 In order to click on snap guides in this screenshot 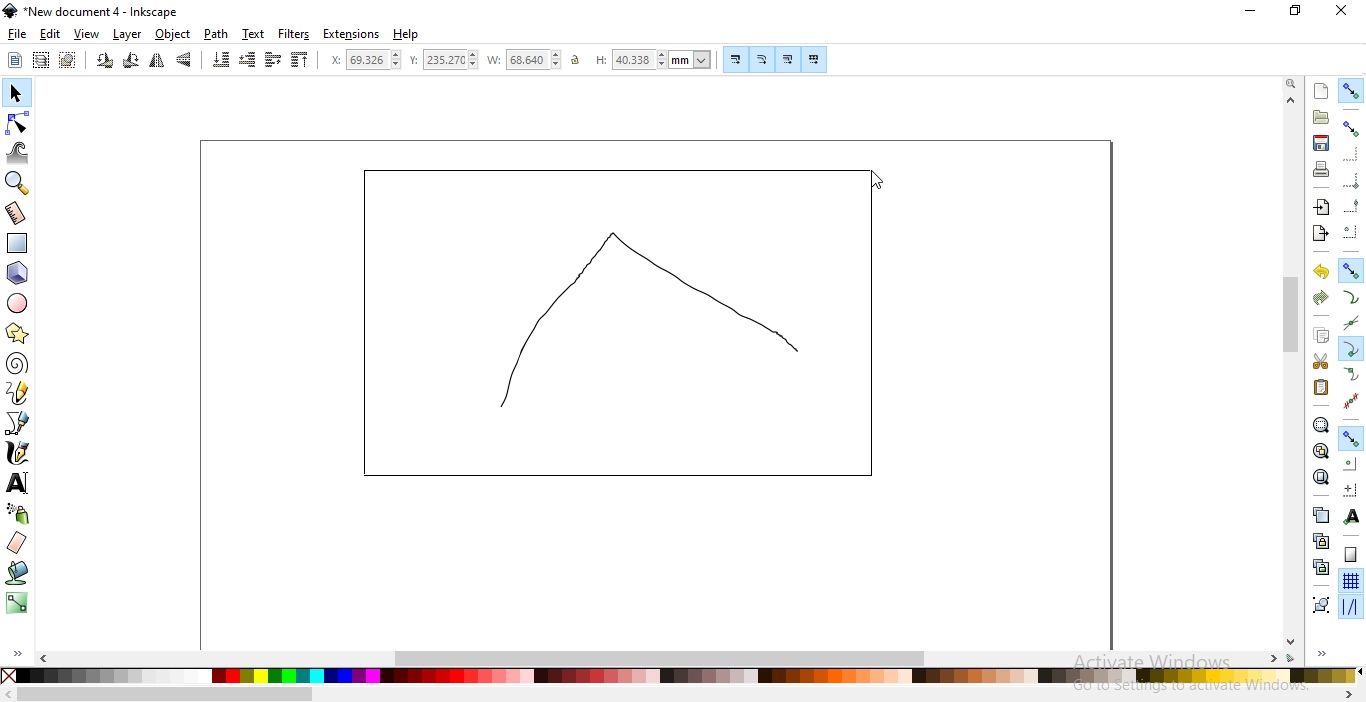, I will do `click(1348, 607)`.